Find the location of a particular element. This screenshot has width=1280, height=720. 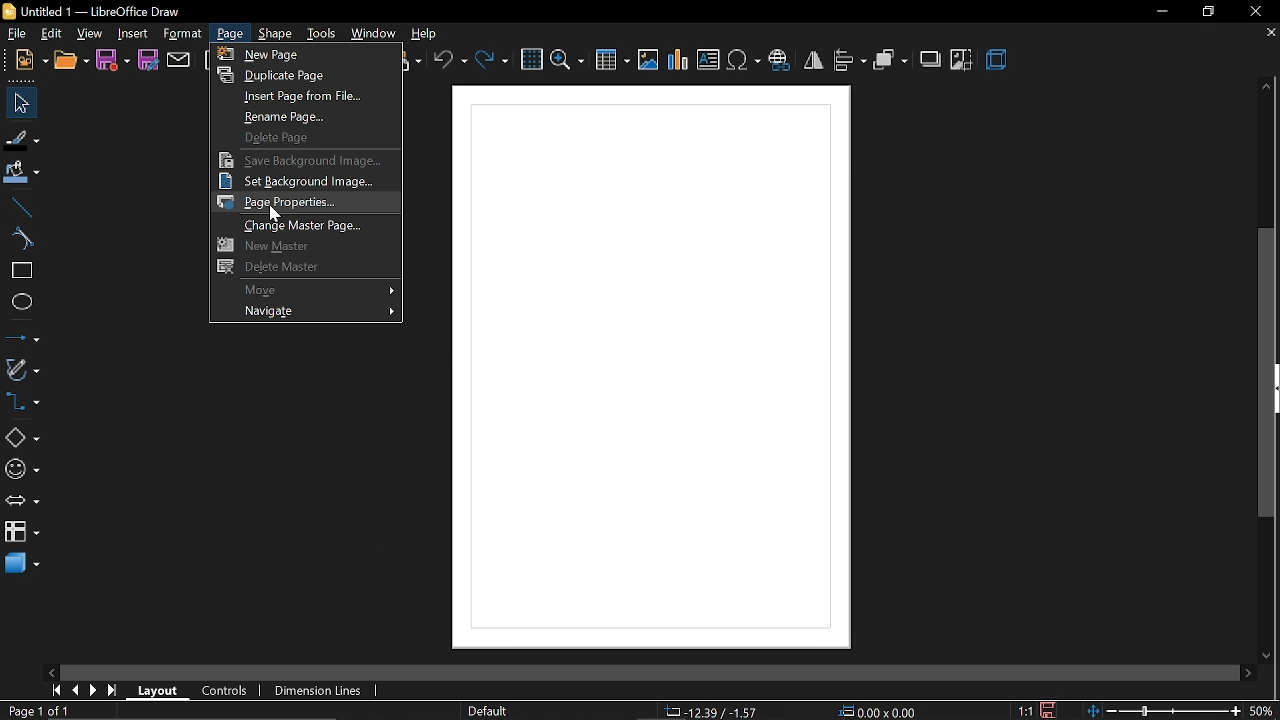

new page is located at coordinates (302, 54).